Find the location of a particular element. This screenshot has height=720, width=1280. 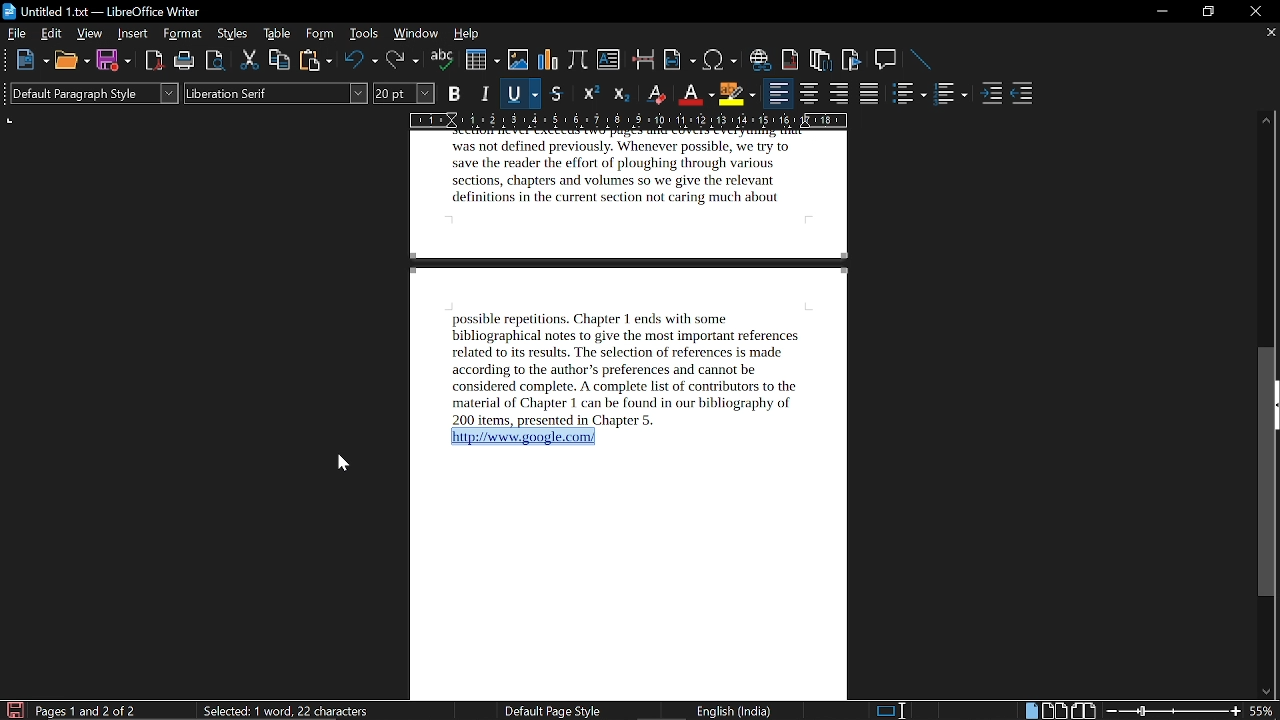

redo is located at coordinates (402, 62).